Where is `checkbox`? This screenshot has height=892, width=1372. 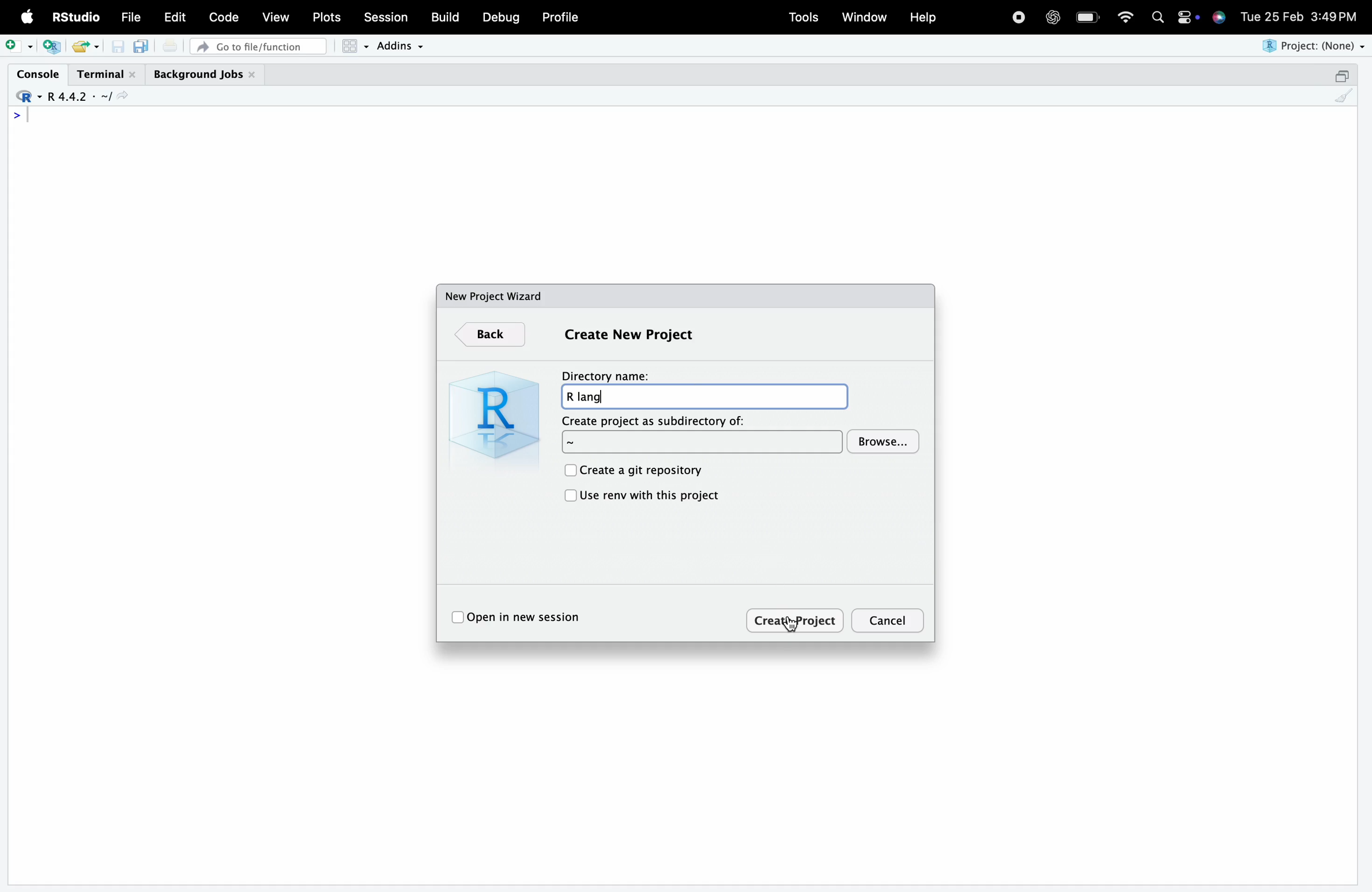
checkbox is located at coordinates (457, 618).